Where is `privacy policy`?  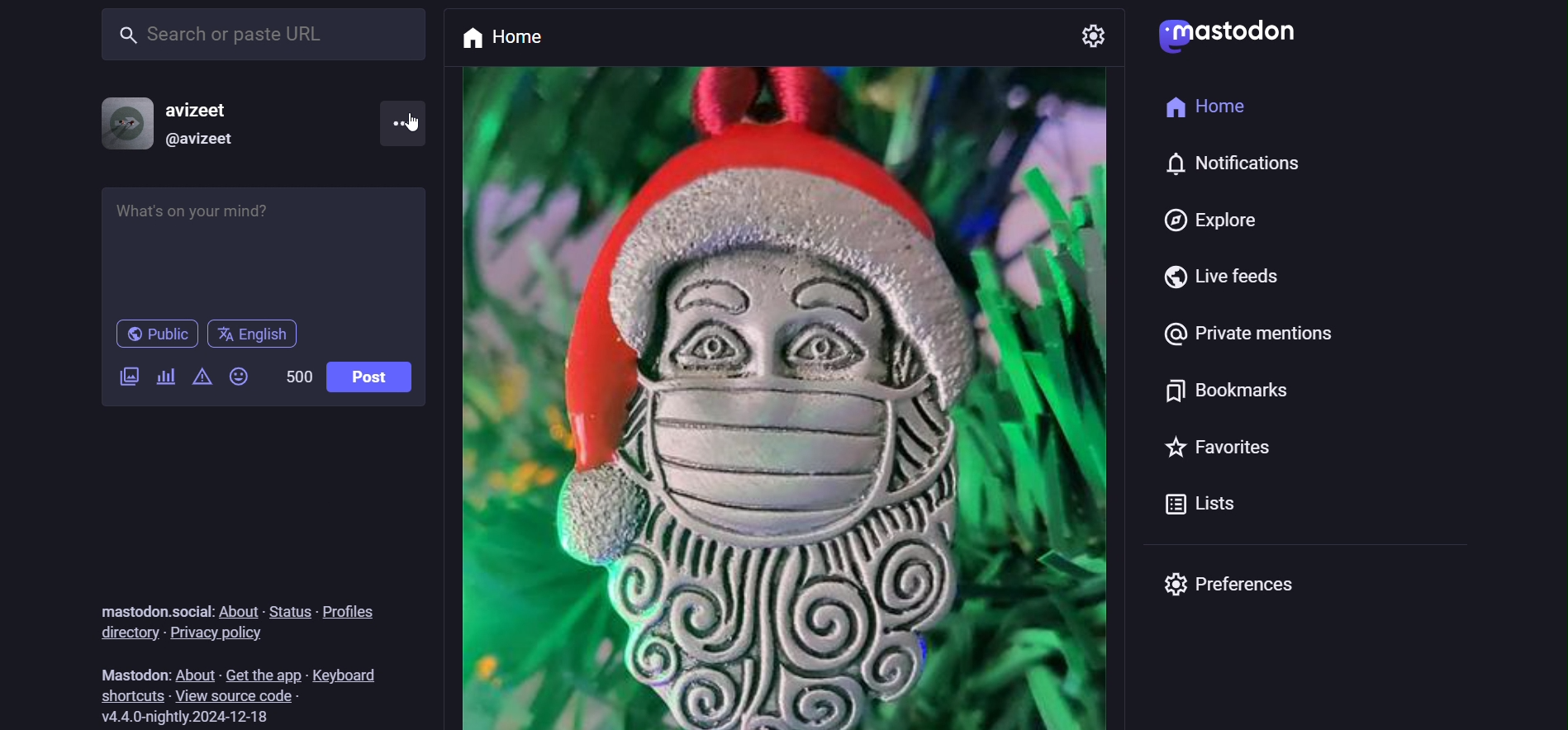 privacy policy is located at coordinates (250, 635).